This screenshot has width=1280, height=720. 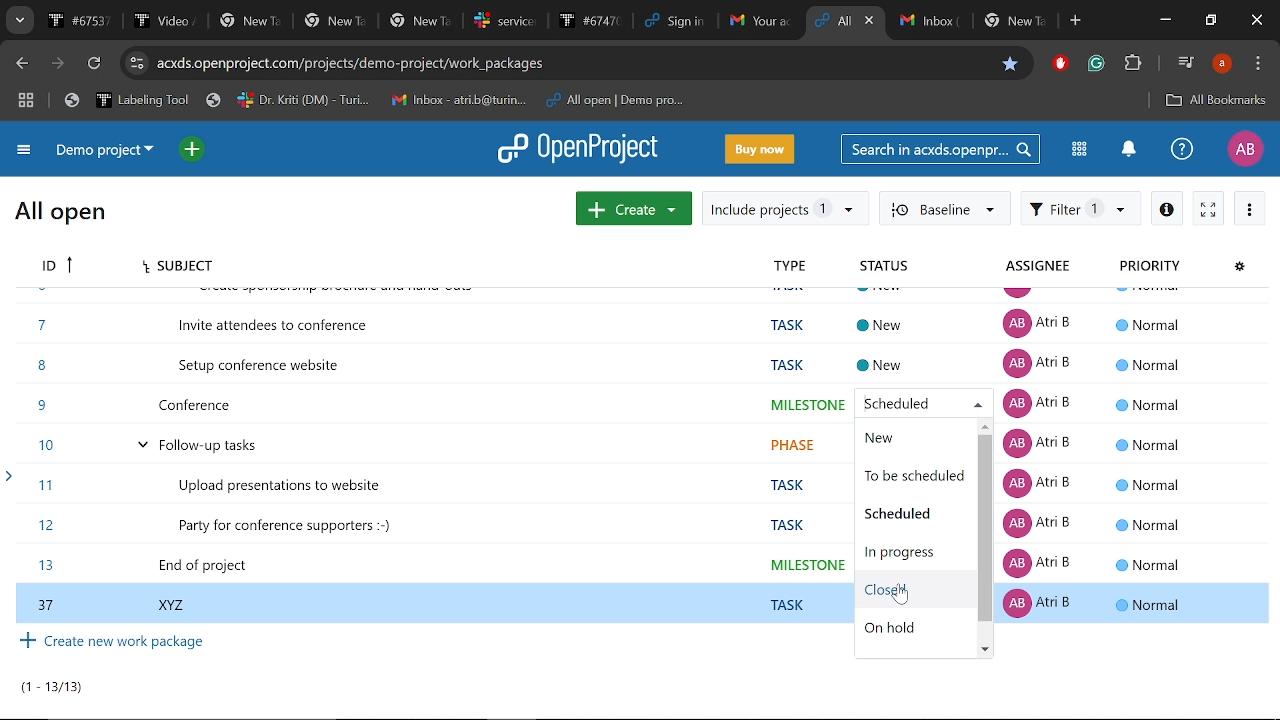 I want to click on , so click(x=758, y=149).